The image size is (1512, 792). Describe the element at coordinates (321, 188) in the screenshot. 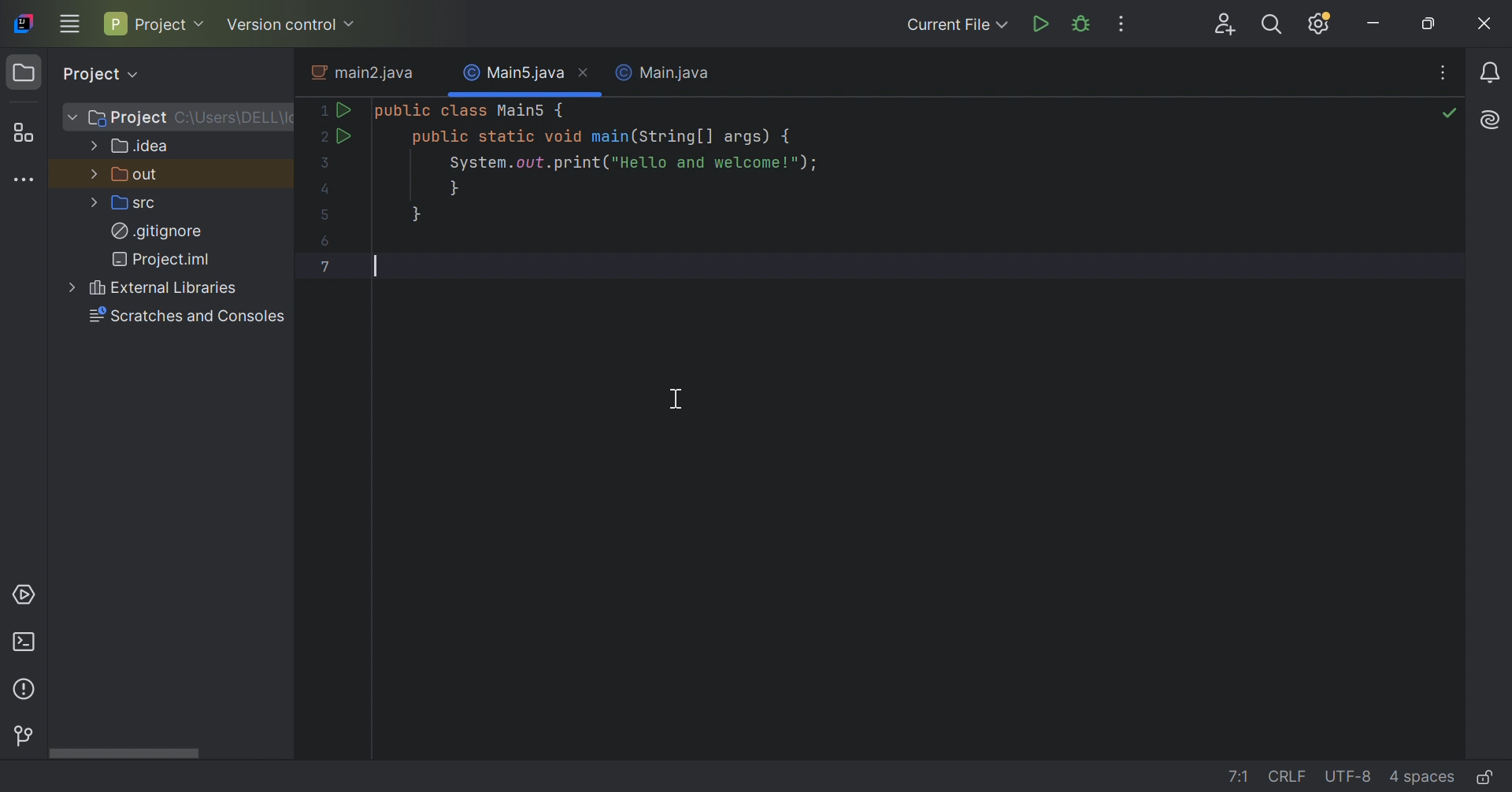

I see `4` at that location.